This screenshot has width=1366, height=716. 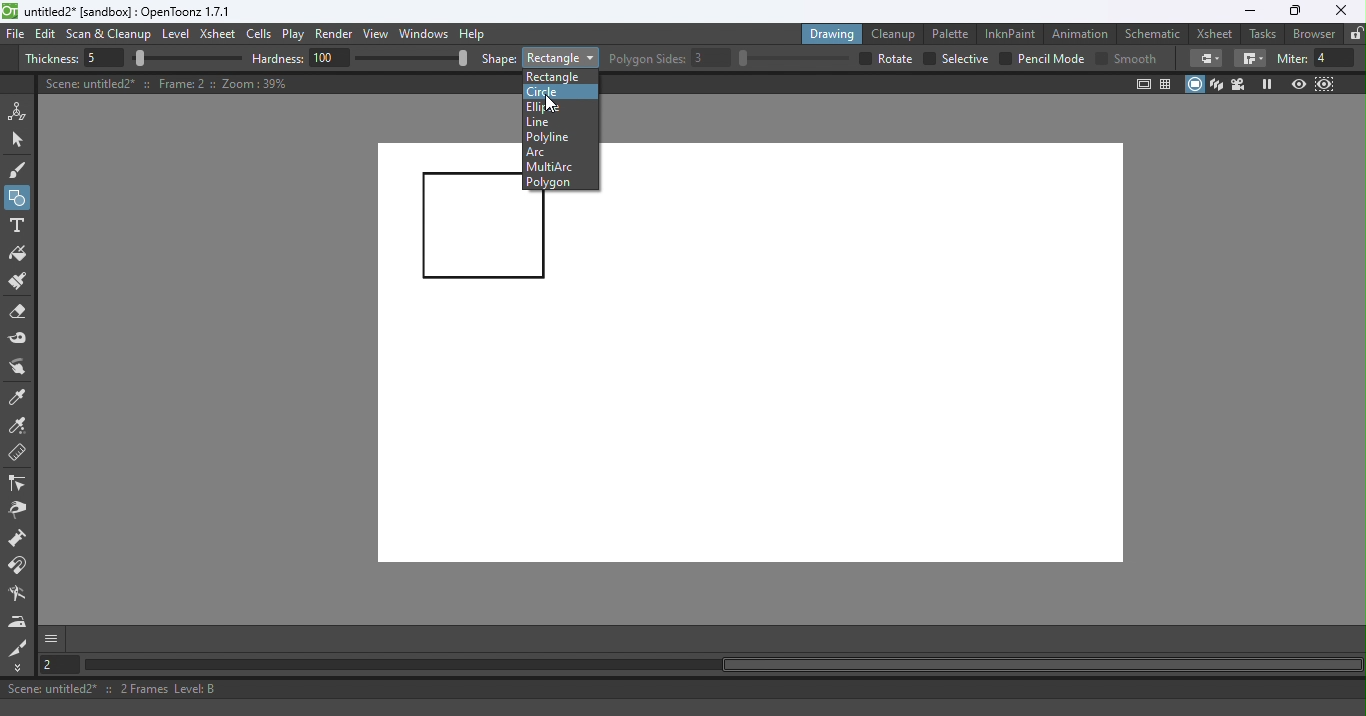 What do you see at coordinates (1083, 32) in the screenshot?
I see `Animation` at bounding box center [1083, 32].